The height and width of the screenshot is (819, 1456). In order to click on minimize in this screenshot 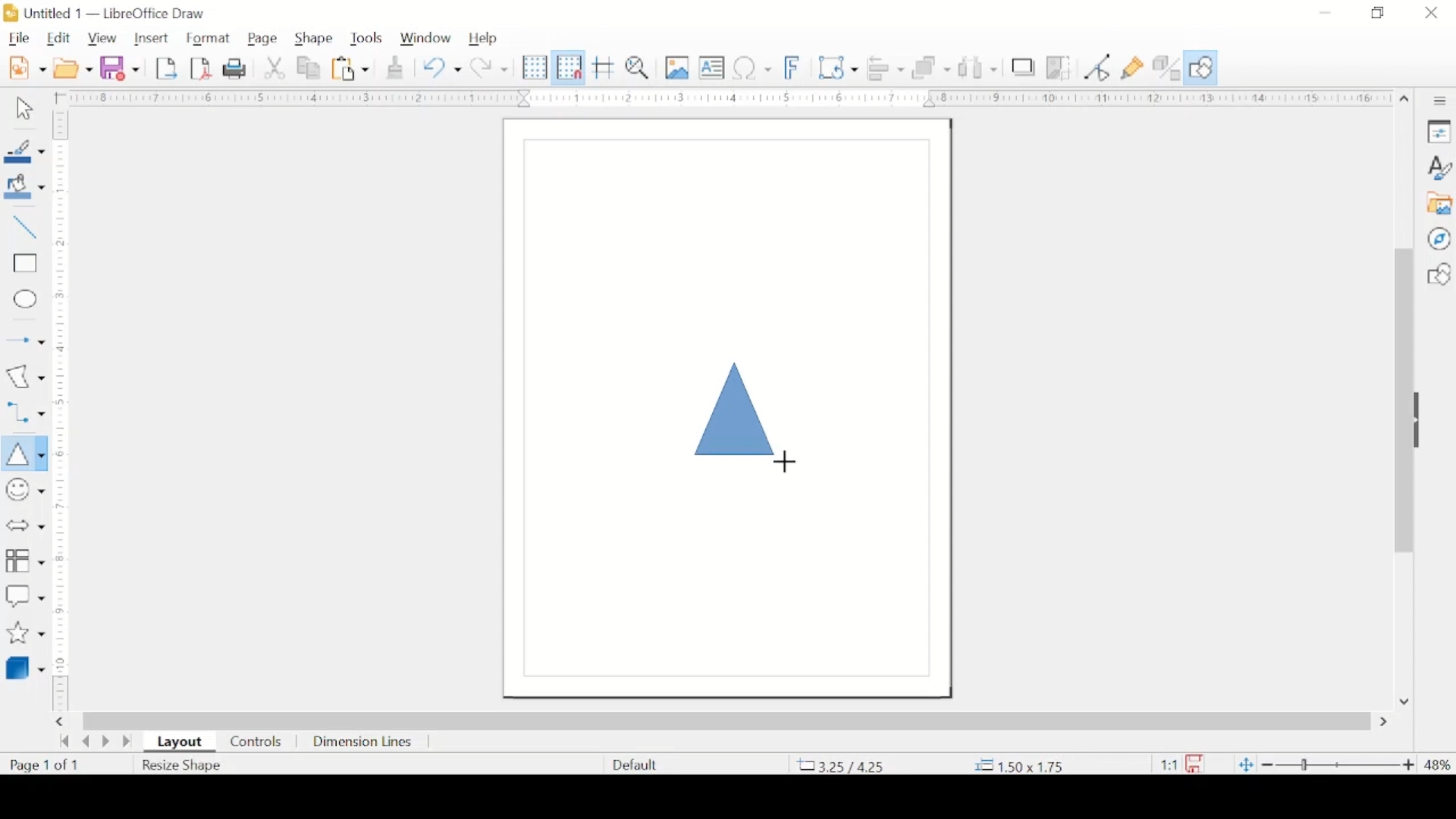, I will do `click(1323, 13)`.